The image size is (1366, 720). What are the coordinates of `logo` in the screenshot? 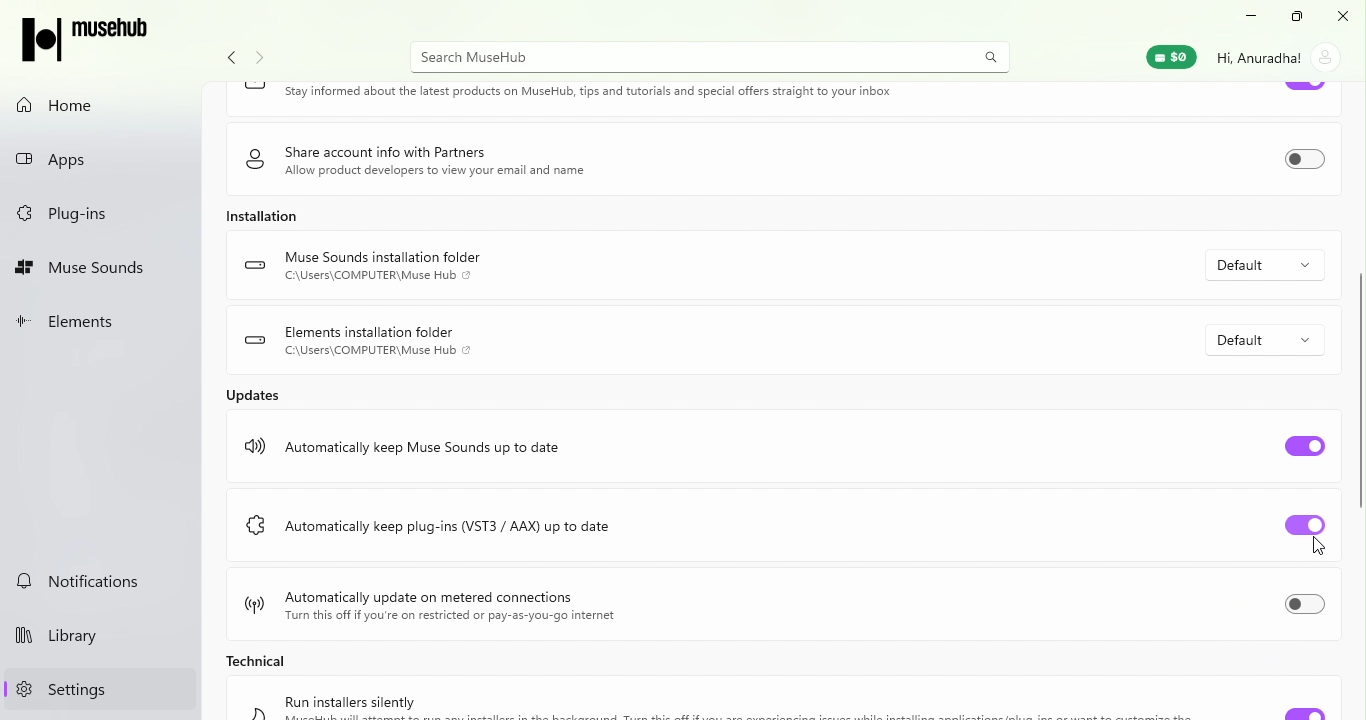 It's located at (256, 341).